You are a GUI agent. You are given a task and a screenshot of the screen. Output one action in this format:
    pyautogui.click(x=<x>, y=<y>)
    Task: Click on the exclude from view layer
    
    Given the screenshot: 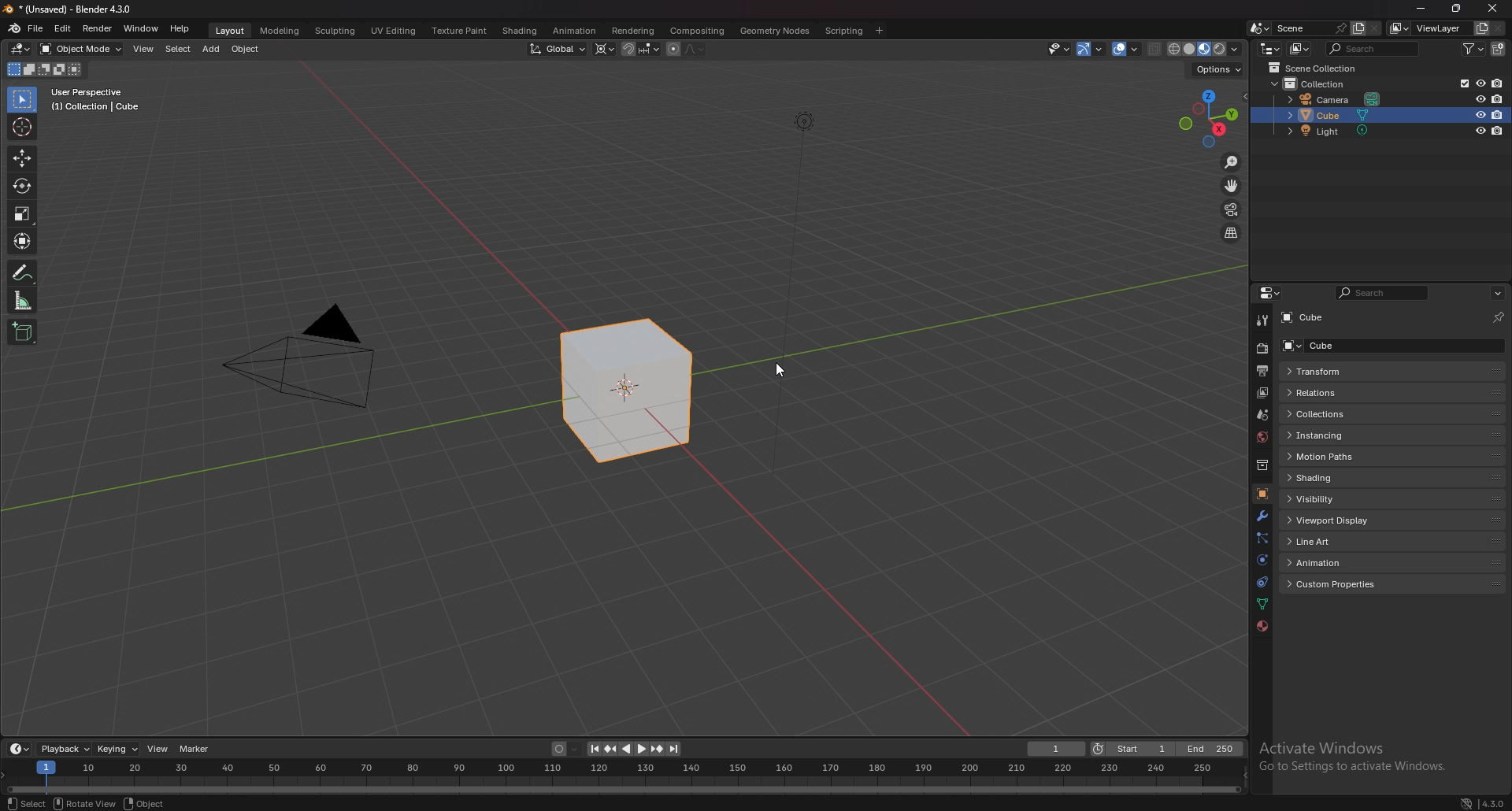 What is the action you would take?
    pyautogui.click(x=1462, y=83)
    